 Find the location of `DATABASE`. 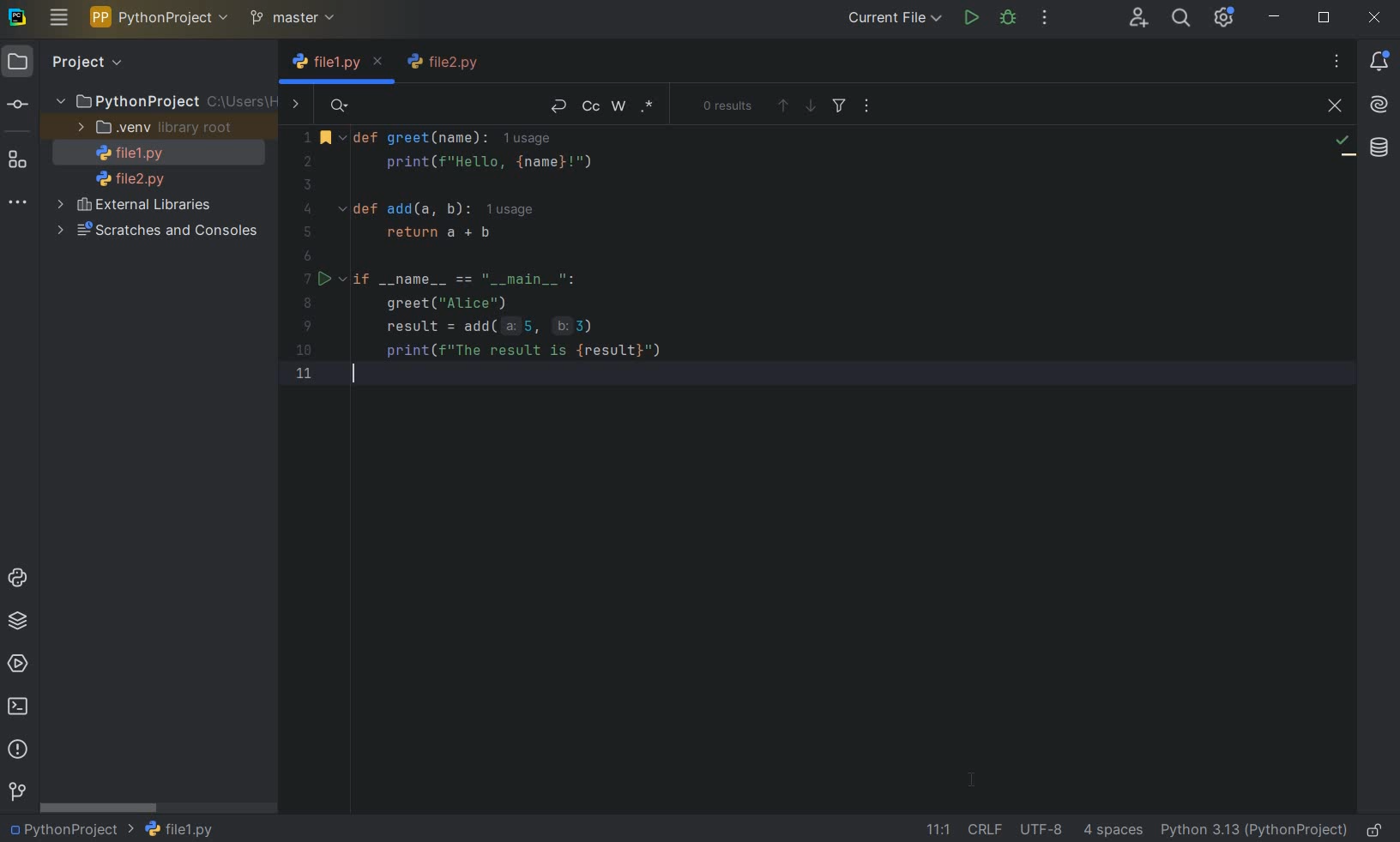

DATABASE is located at coordinates (1379, 147).